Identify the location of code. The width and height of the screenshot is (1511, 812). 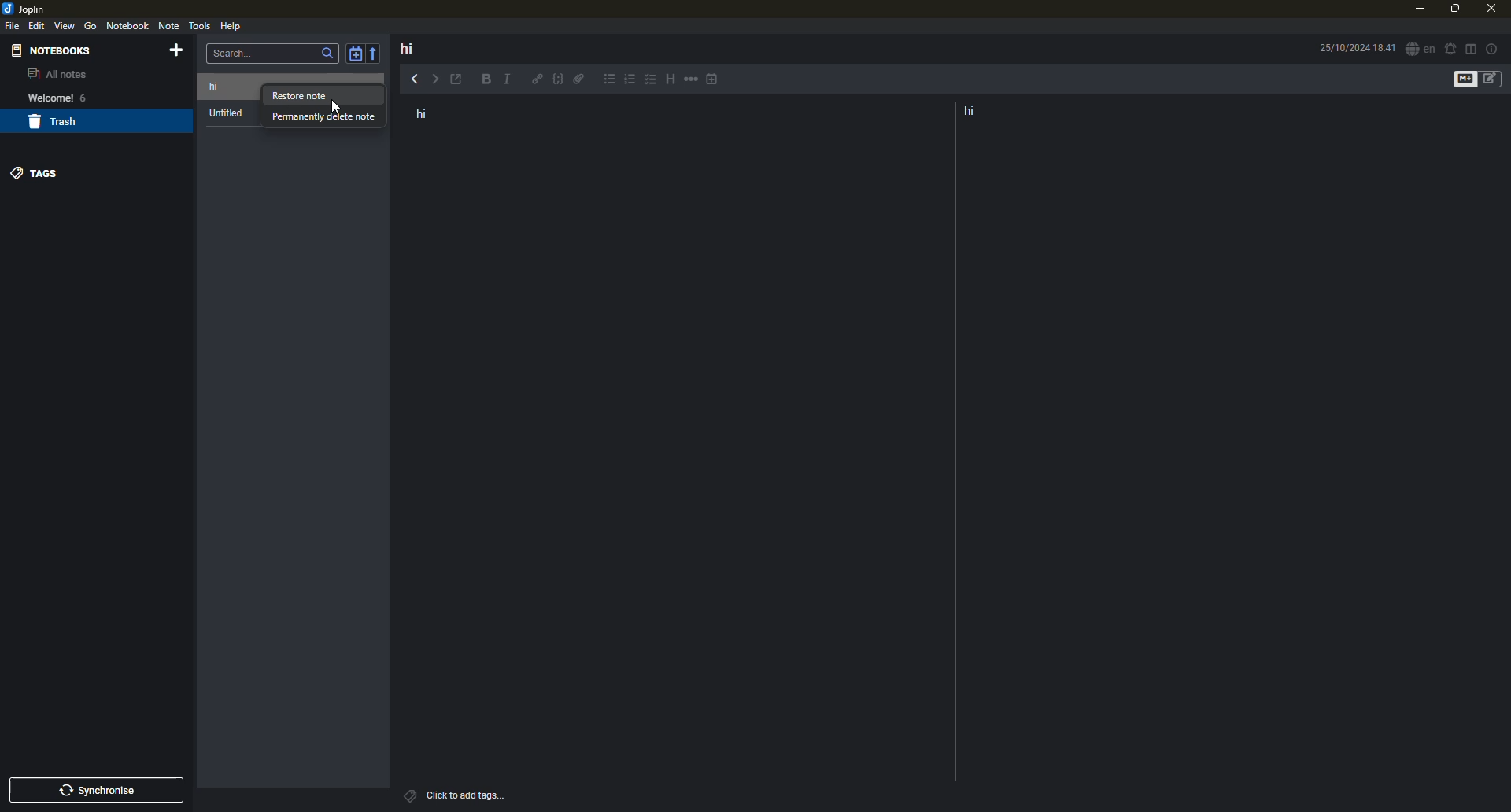
(556, 81).